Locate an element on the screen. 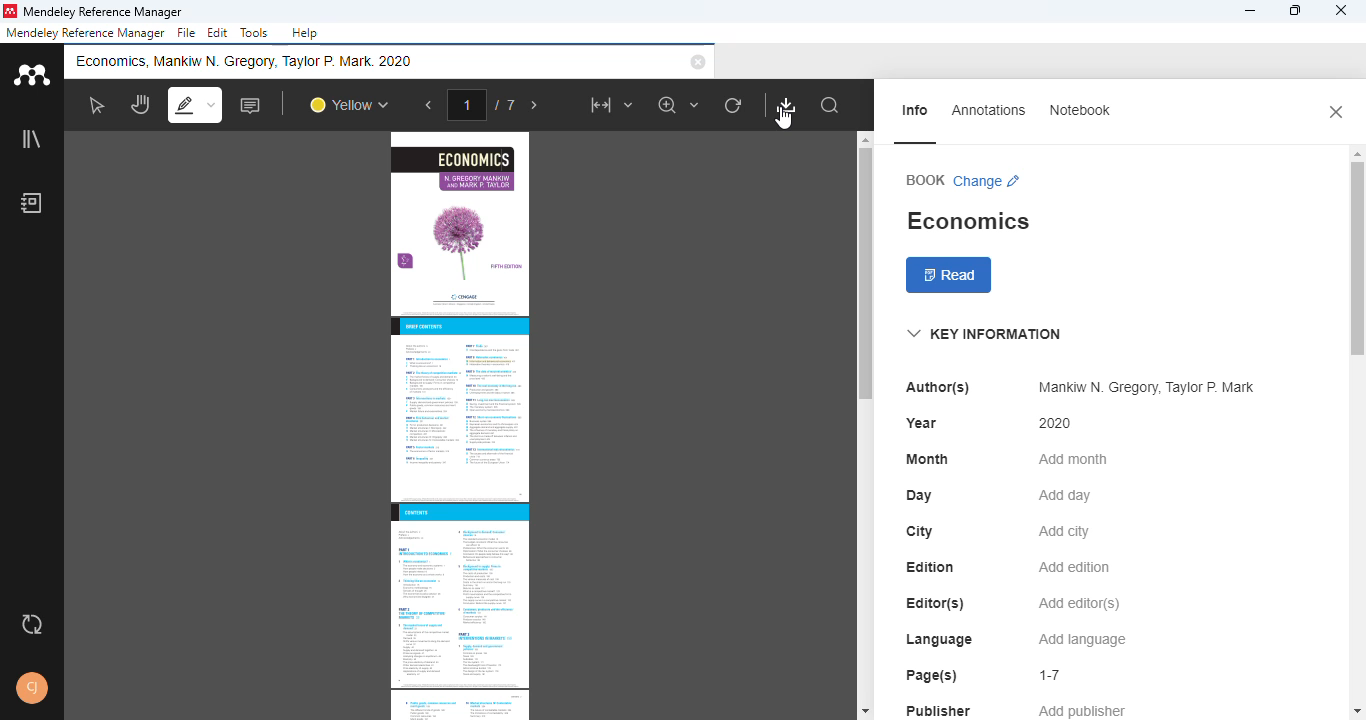 The image size is (1366, 720). add day is located at coordinates (1065, 496).